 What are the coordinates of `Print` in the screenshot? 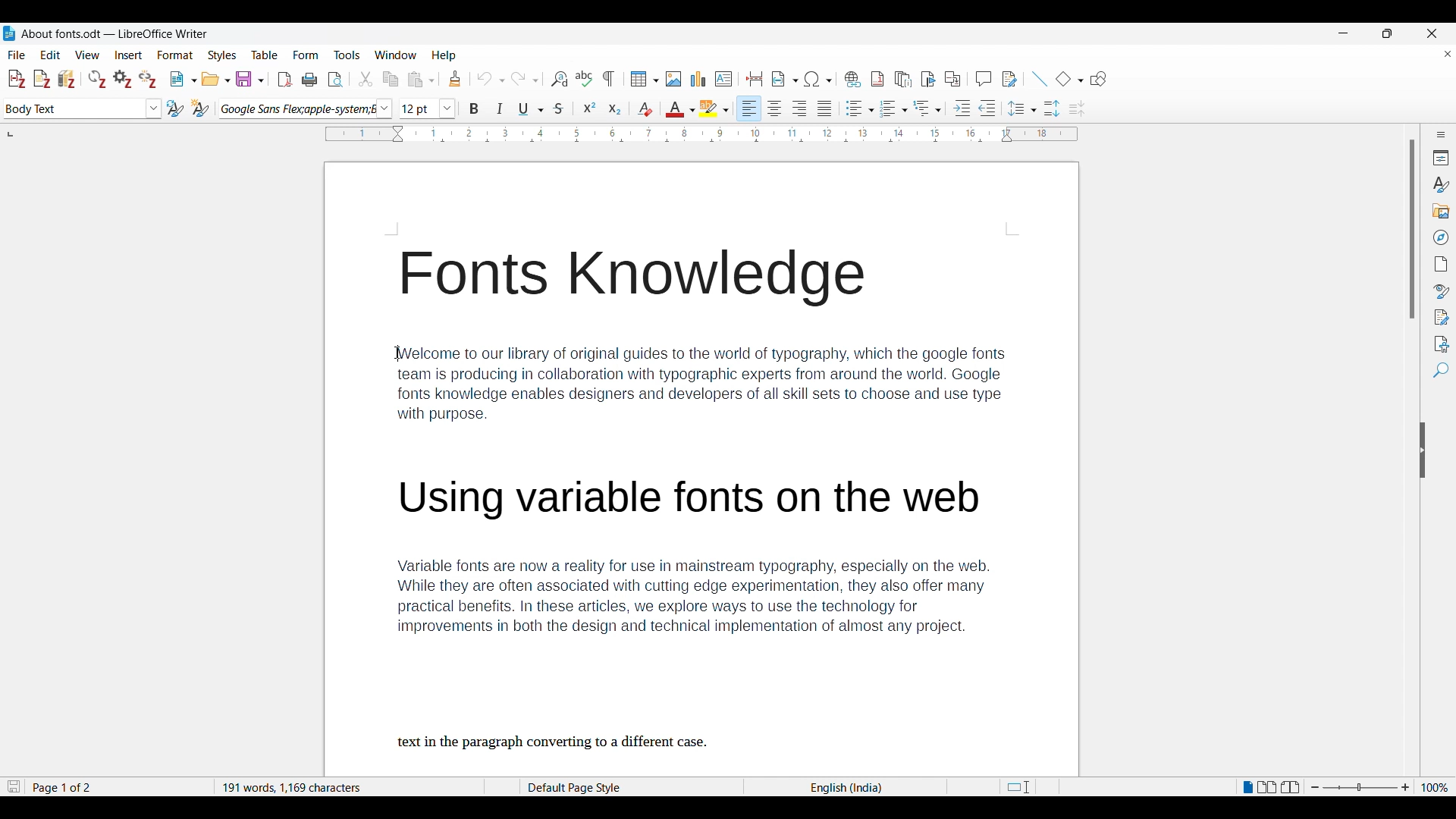 It's located at (309, 80).